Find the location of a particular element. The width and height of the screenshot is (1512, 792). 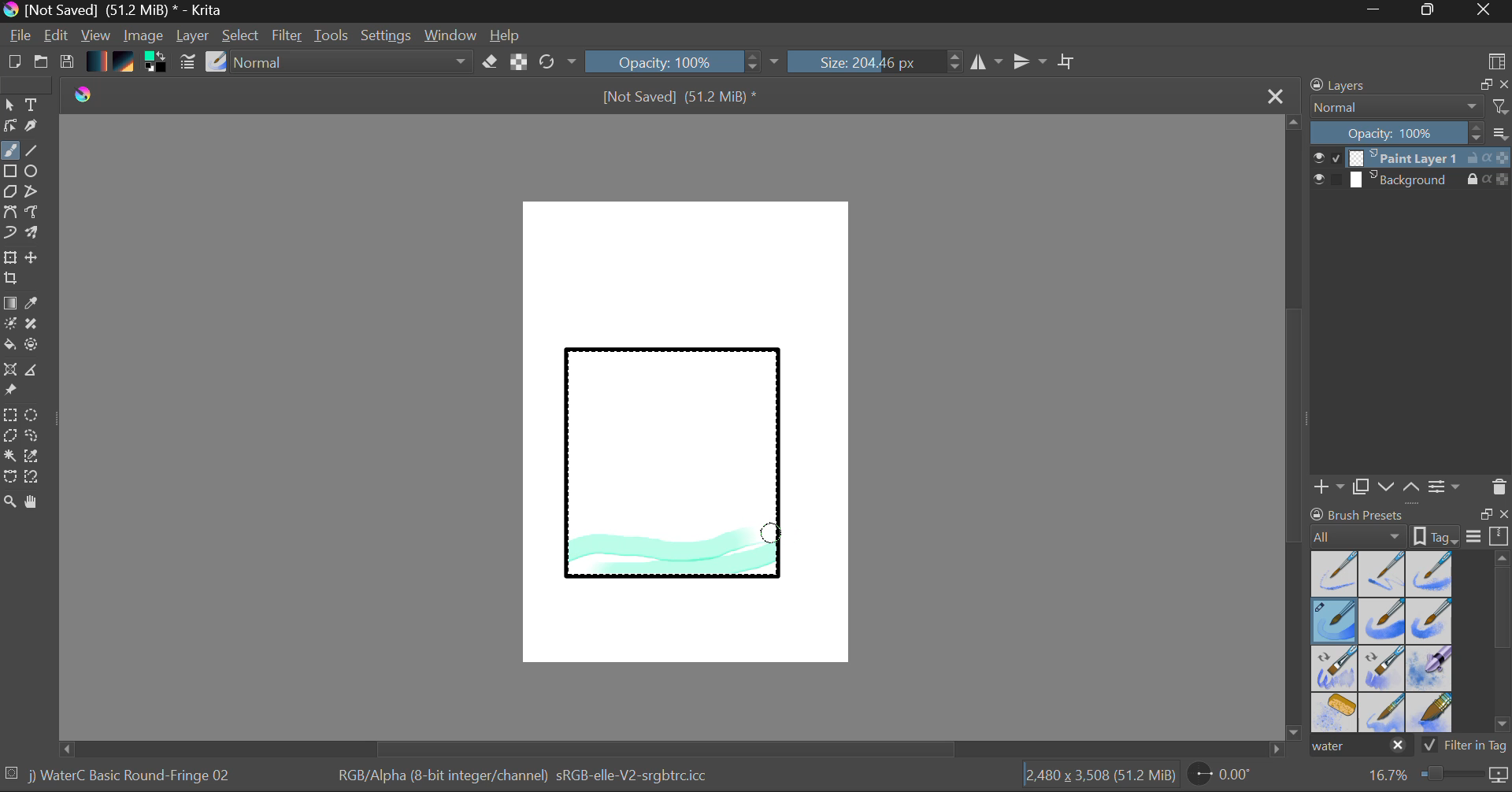

Water C - Wet is located at coordinates (1384, 574).